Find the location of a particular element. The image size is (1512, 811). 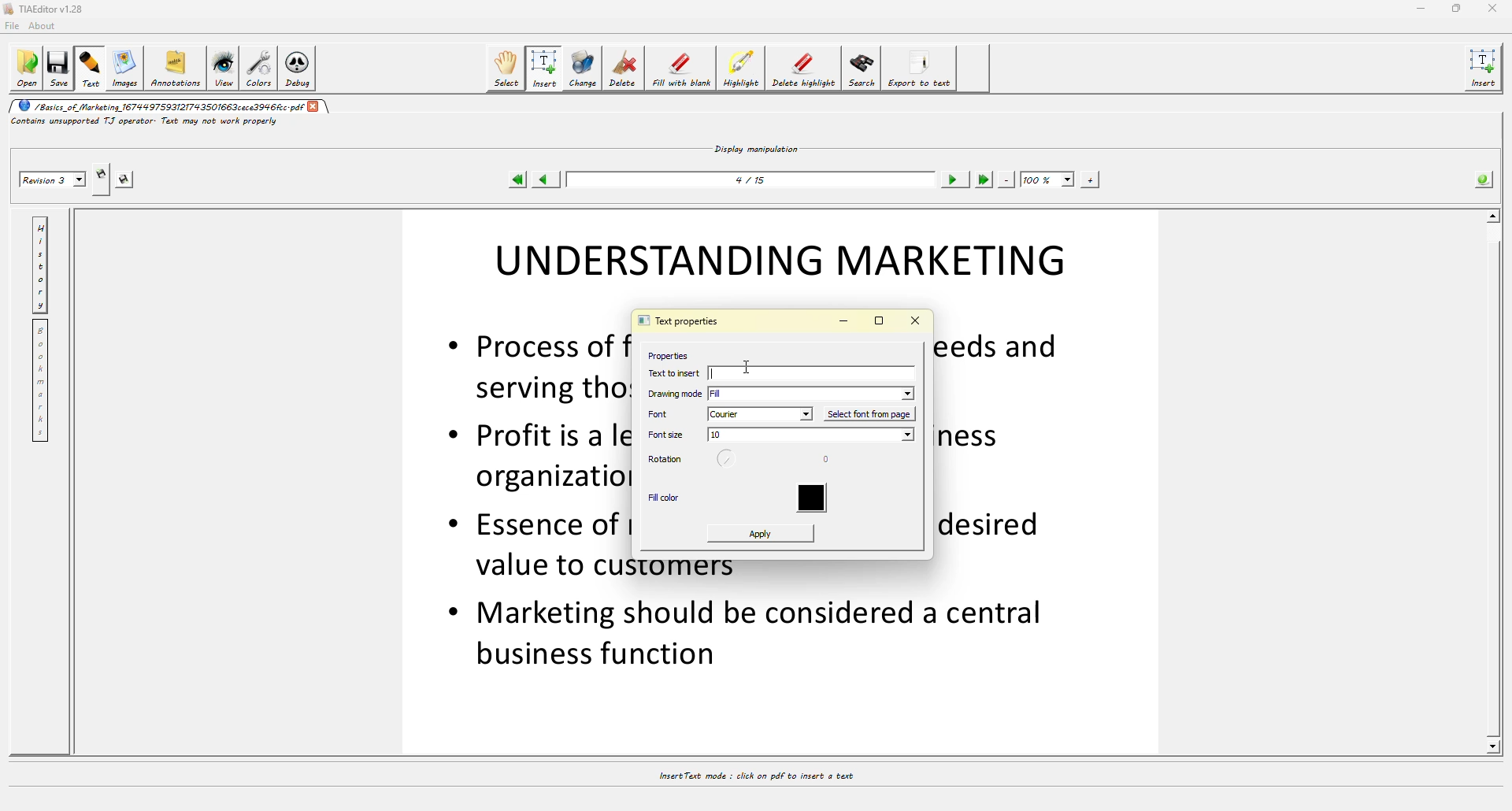

font is located at coordinates (667, 413).